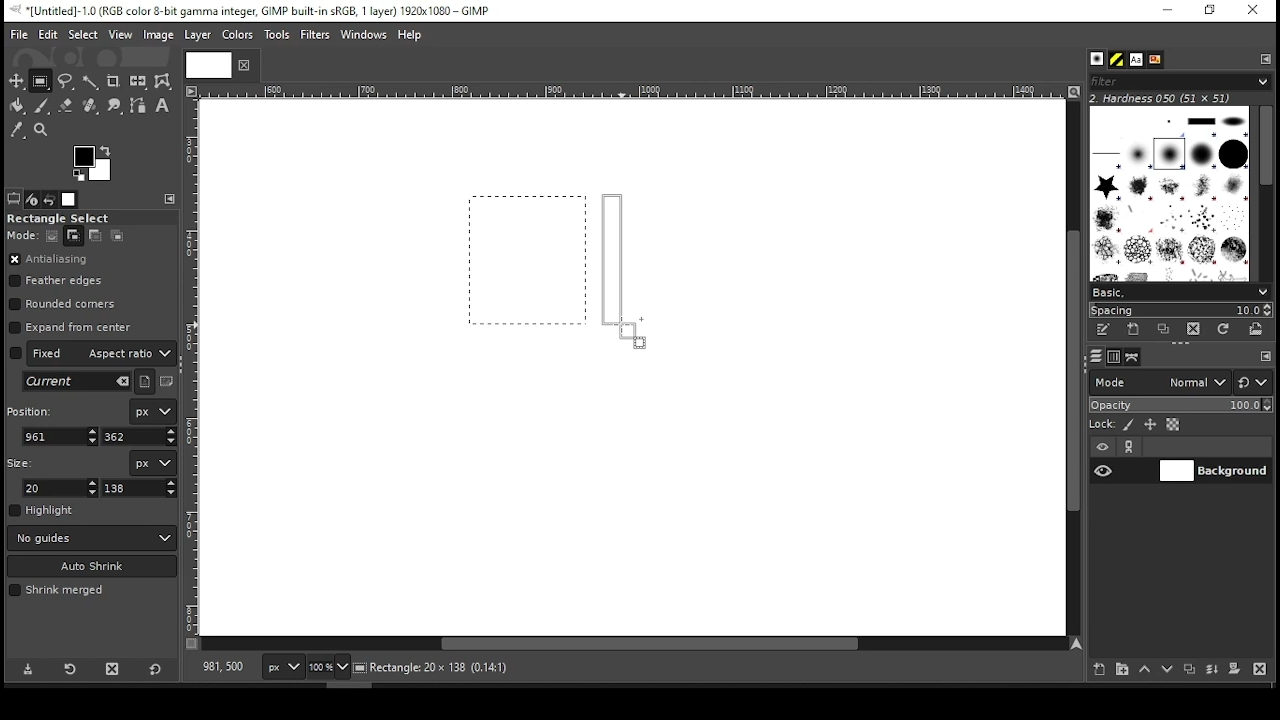  I want to click on help, so click(410, 36).